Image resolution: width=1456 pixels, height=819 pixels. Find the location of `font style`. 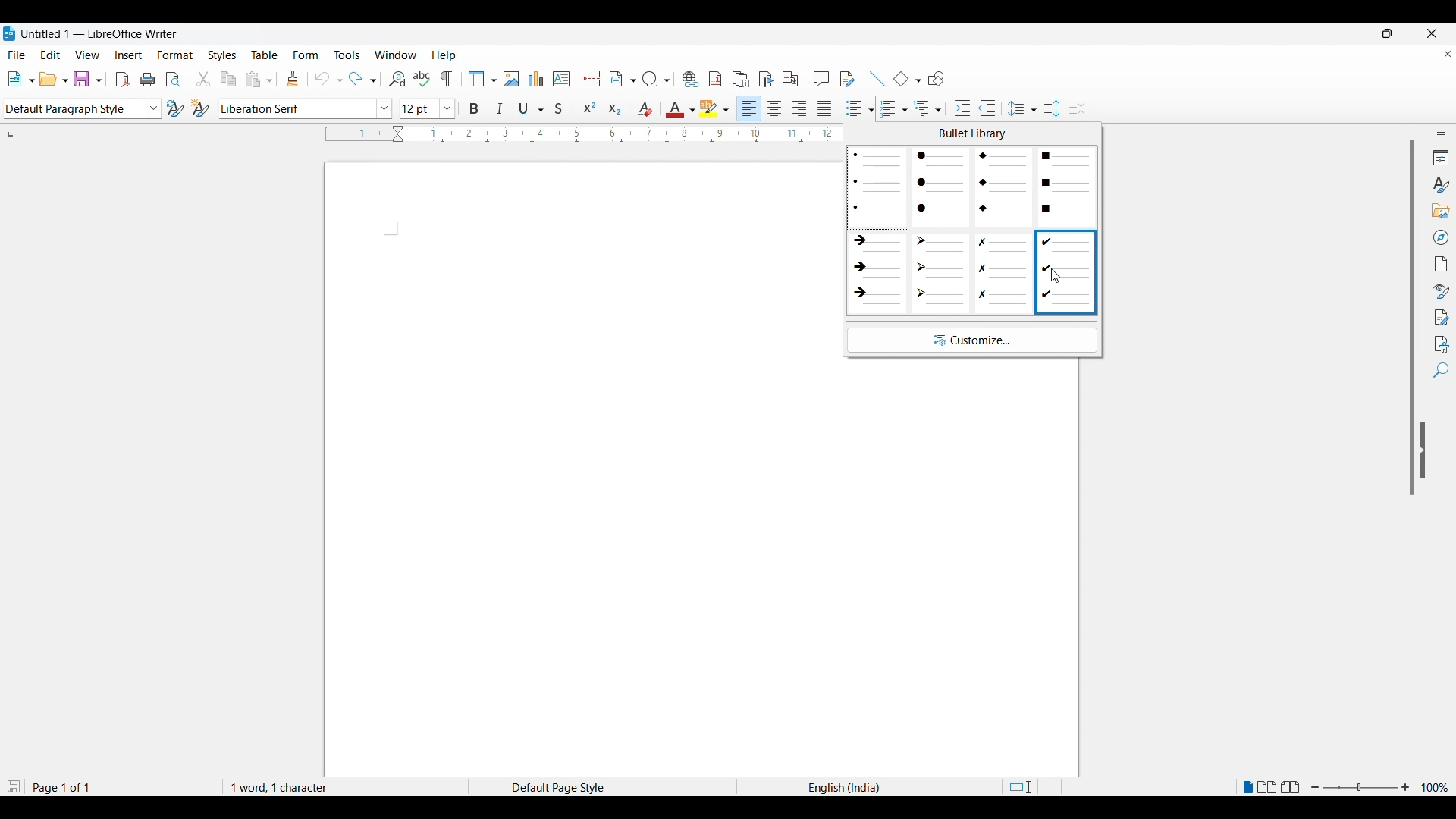

font style is located at coordinates (306, 106).